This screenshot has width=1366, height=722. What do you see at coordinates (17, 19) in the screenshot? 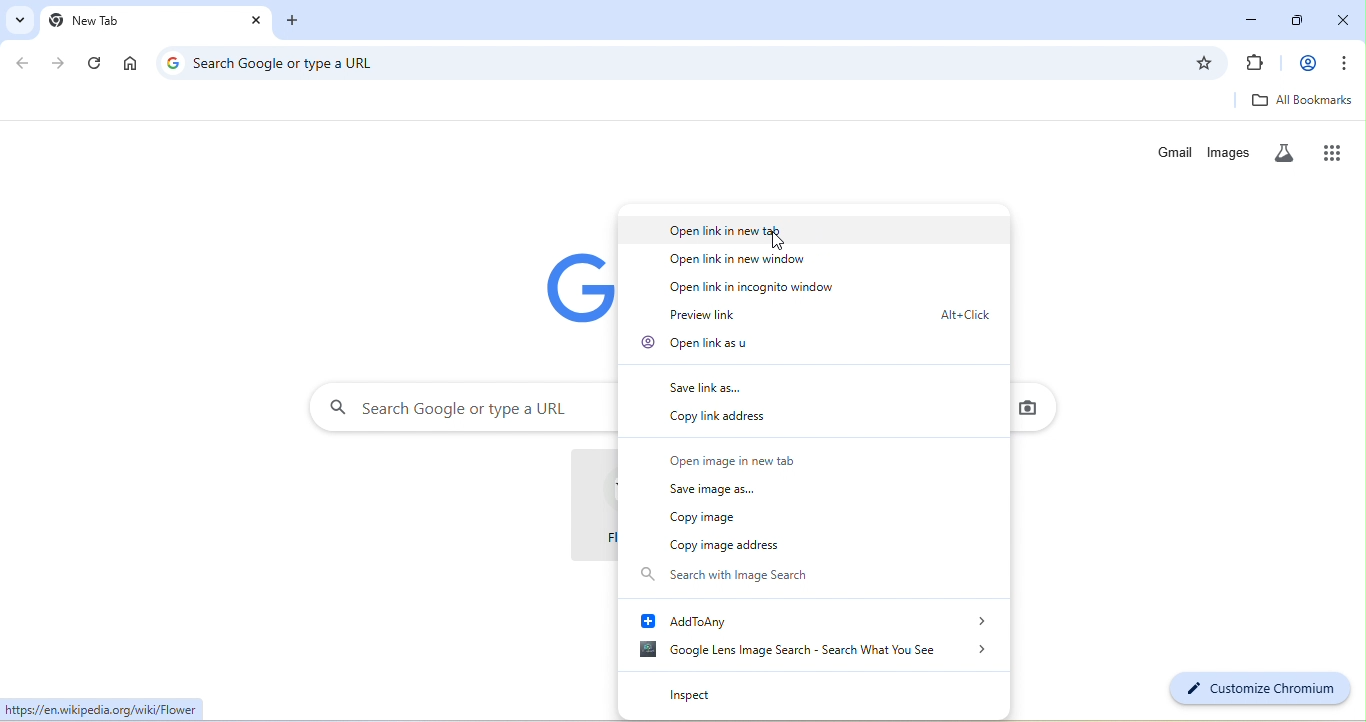
I see `search tab` at bounding box center [17, 19].